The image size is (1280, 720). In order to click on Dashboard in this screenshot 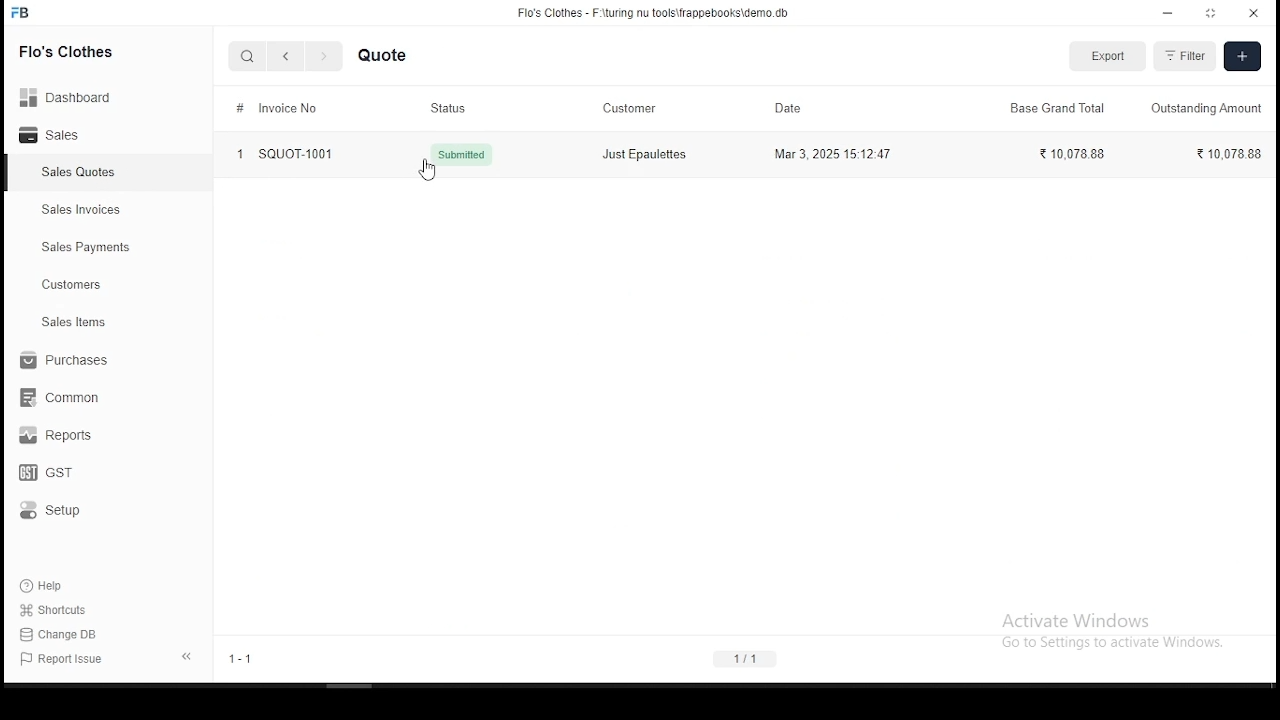, I will do `click(75, 98)`.